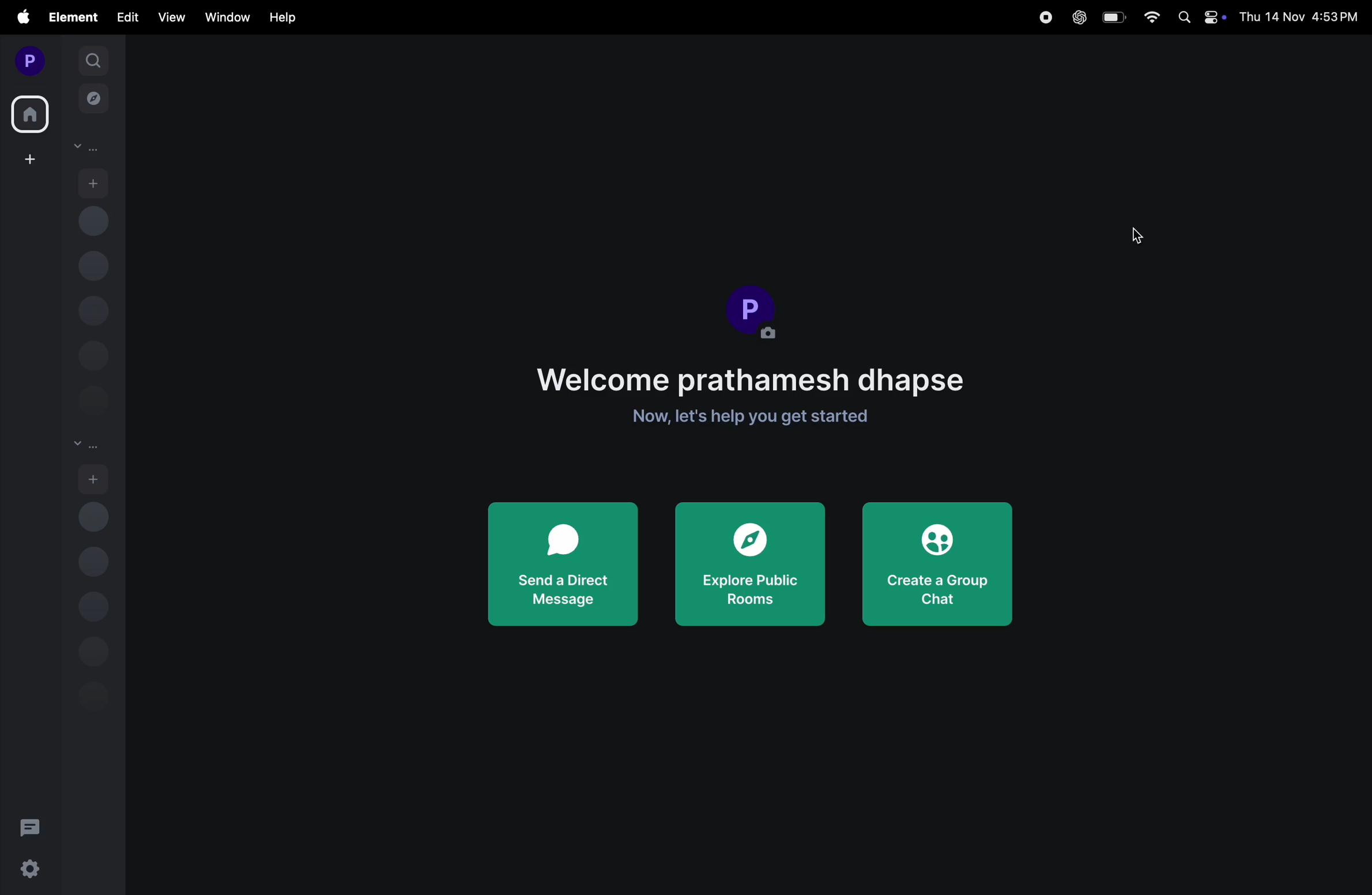 Image resolution: width=1372 pixels, height=895 pixels. What do you see at coordinates (226, 17) in the screenshot?
I see `window` at bounding box center [226, 17].